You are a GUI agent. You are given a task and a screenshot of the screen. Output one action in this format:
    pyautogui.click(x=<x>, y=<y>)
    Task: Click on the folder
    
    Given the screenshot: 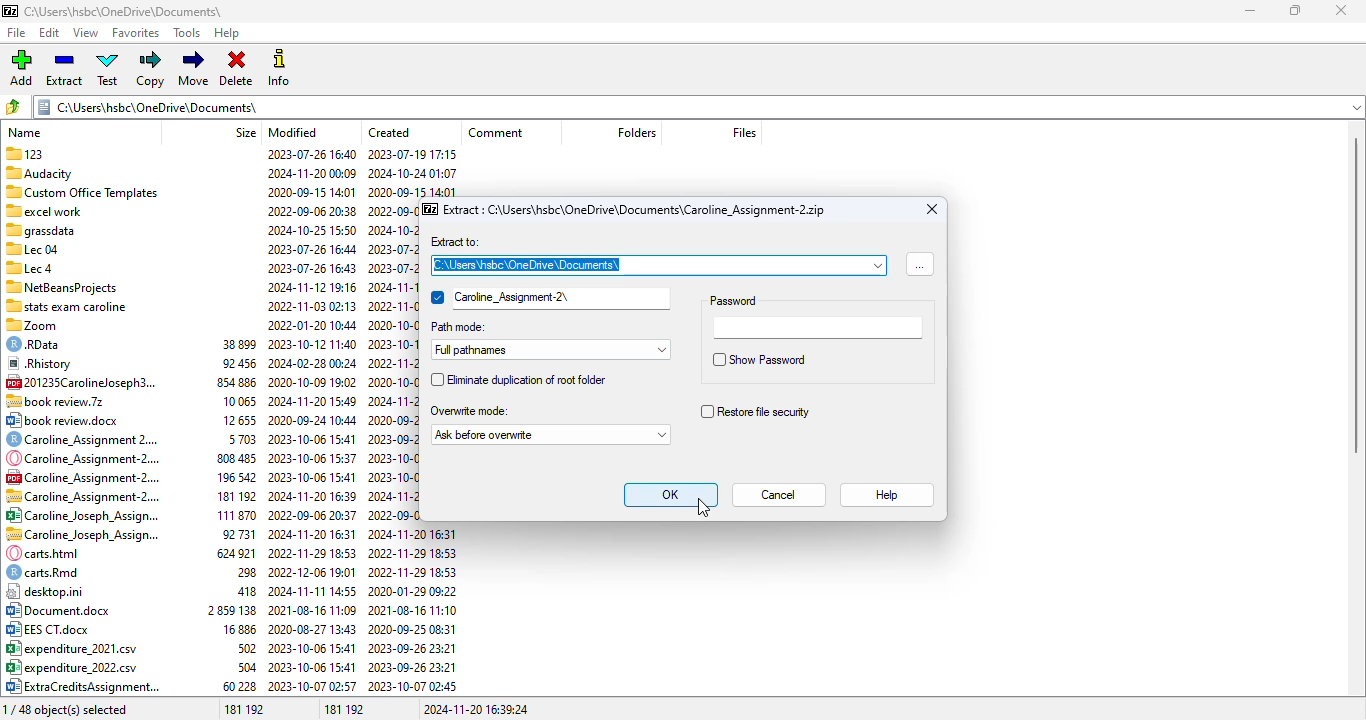 What is the action you would take?
    pyautogui.click(x=696, y=107)
    